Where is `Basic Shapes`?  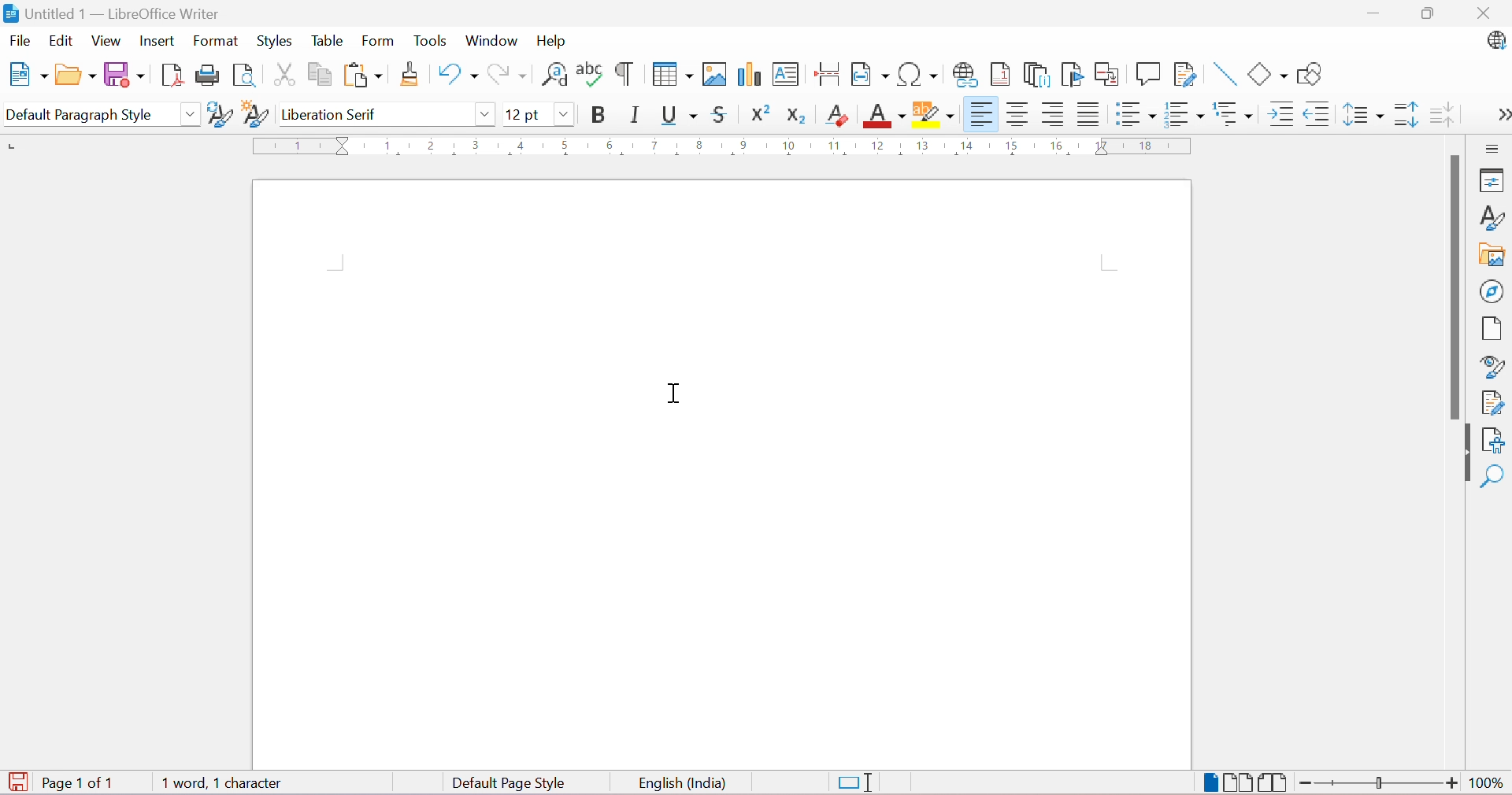 Basic Shapes is located at coordinates (1268, 76).